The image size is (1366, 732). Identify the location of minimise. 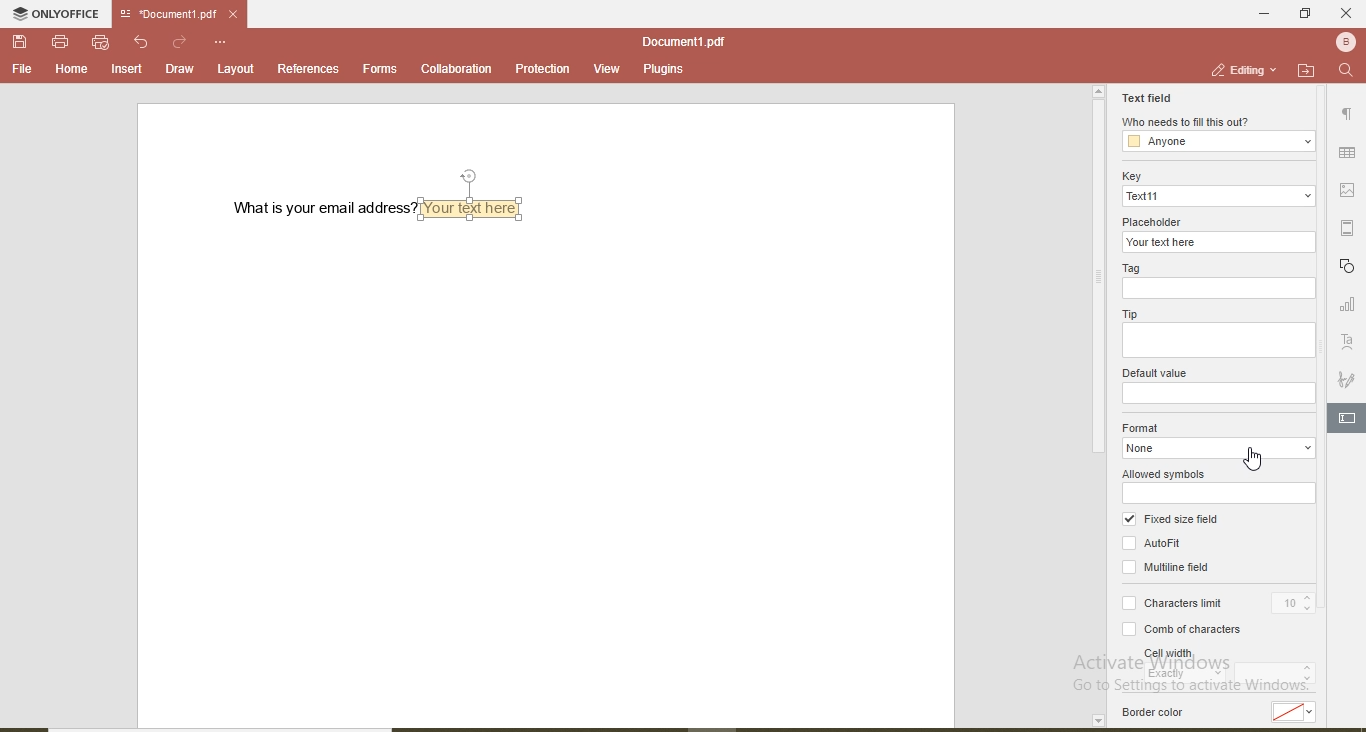
(1258, 12).